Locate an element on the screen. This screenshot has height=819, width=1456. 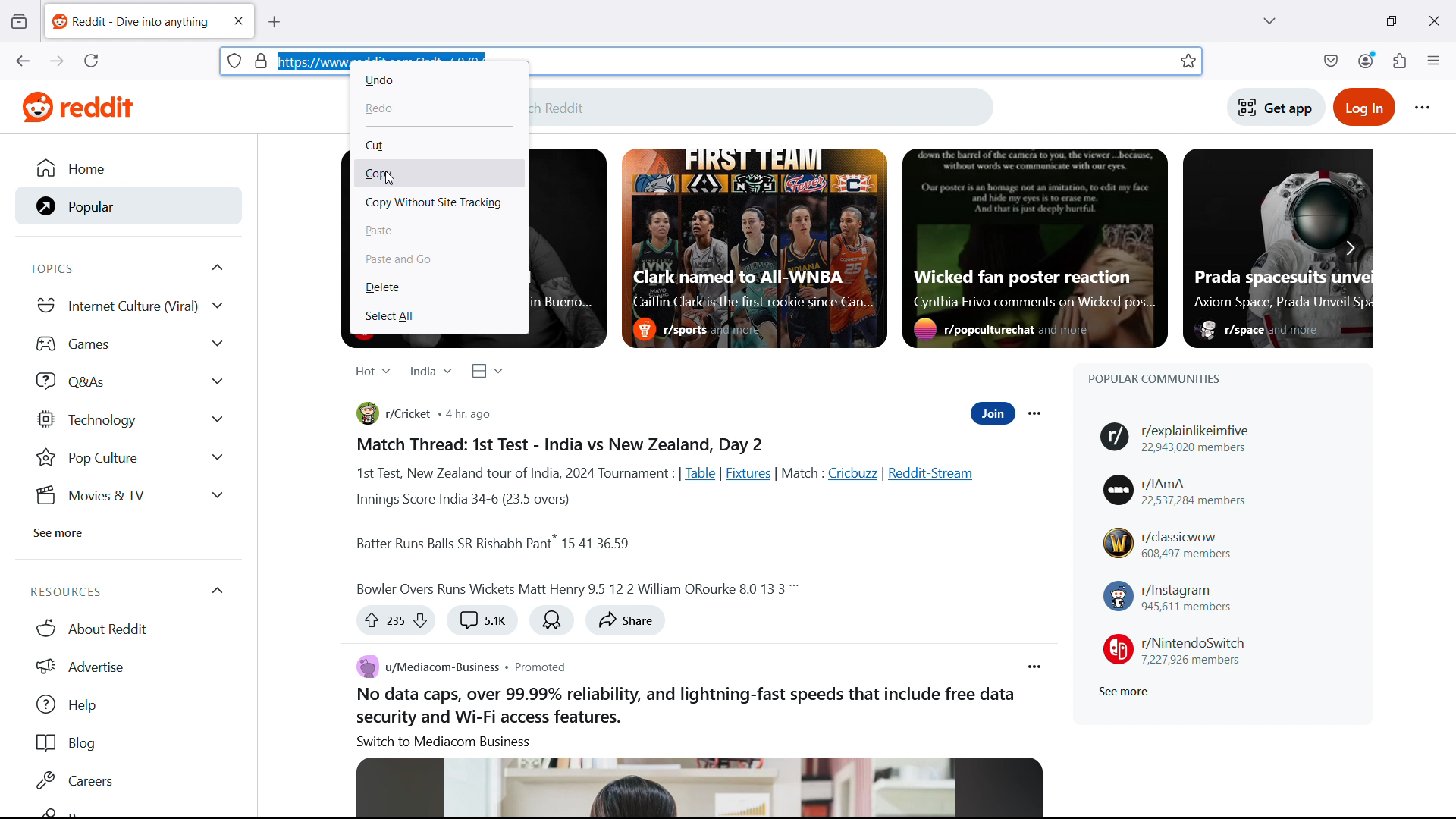
new tab is located at coordinates (275, 22).